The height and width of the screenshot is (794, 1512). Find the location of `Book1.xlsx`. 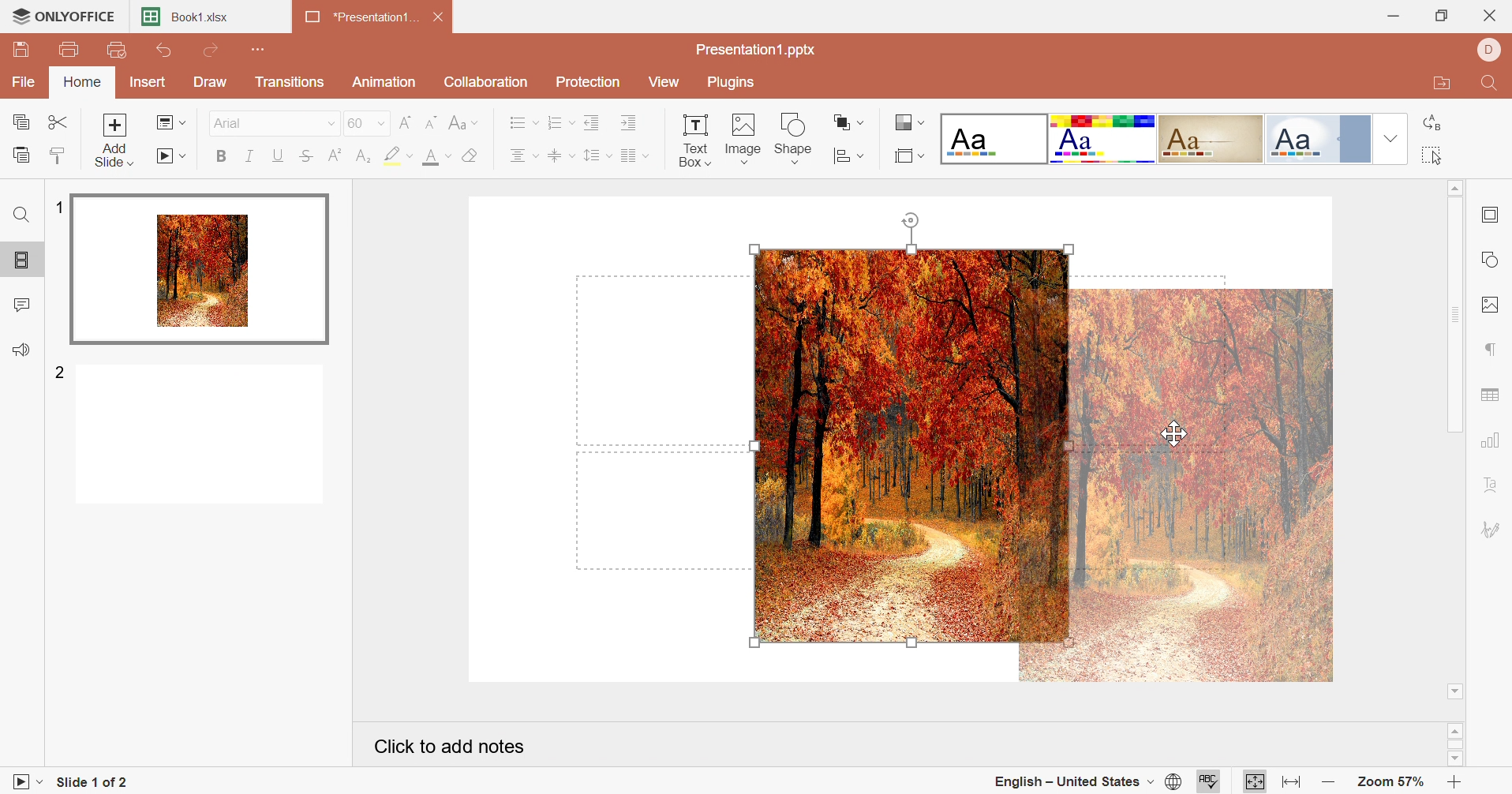

Book1.xlsx is located at coordinates (190, 17).